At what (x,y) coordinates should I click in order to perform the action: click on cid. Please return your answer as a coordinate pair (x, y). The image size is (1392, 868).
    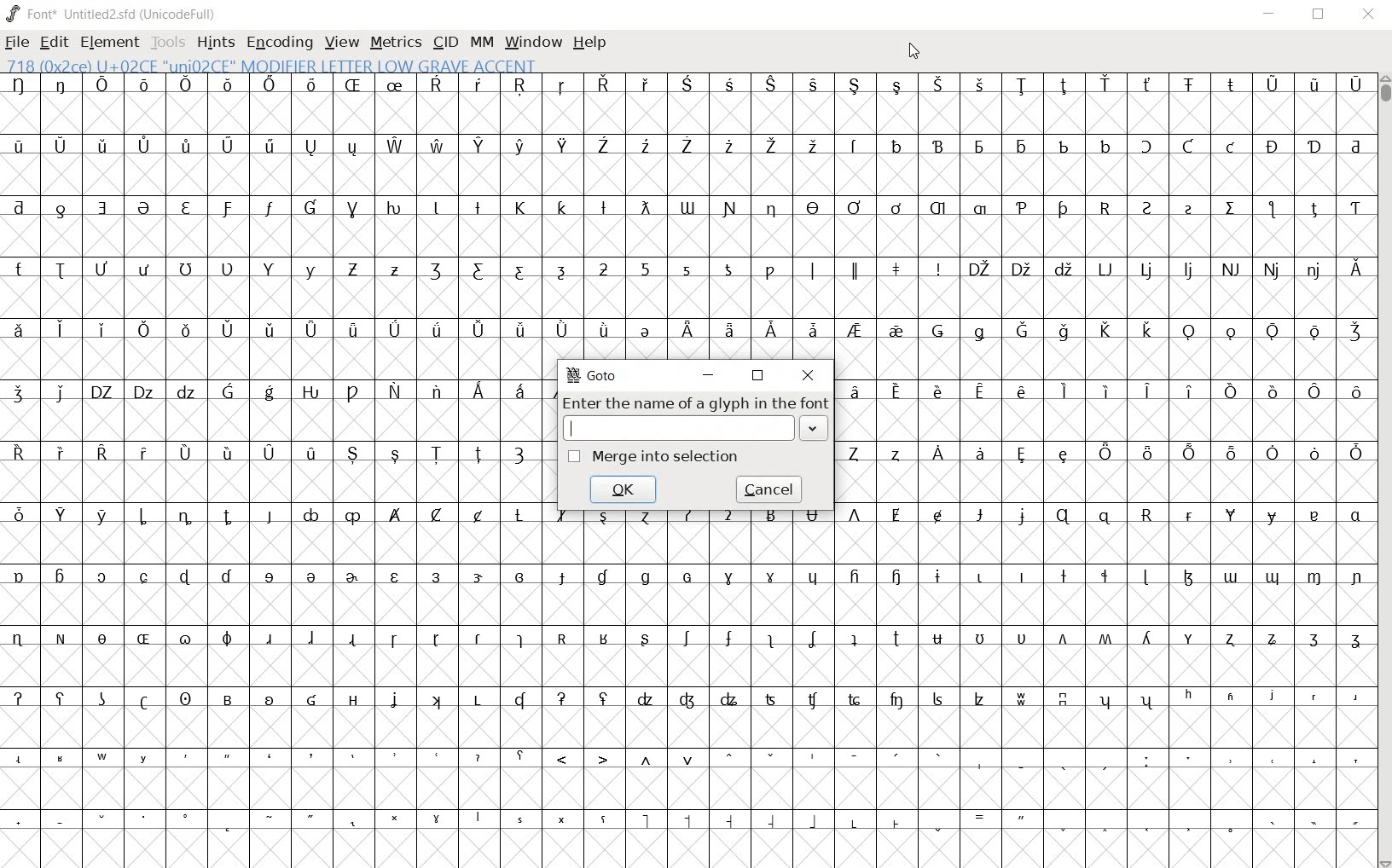
    Looking at the image, I should click on (444, 43).